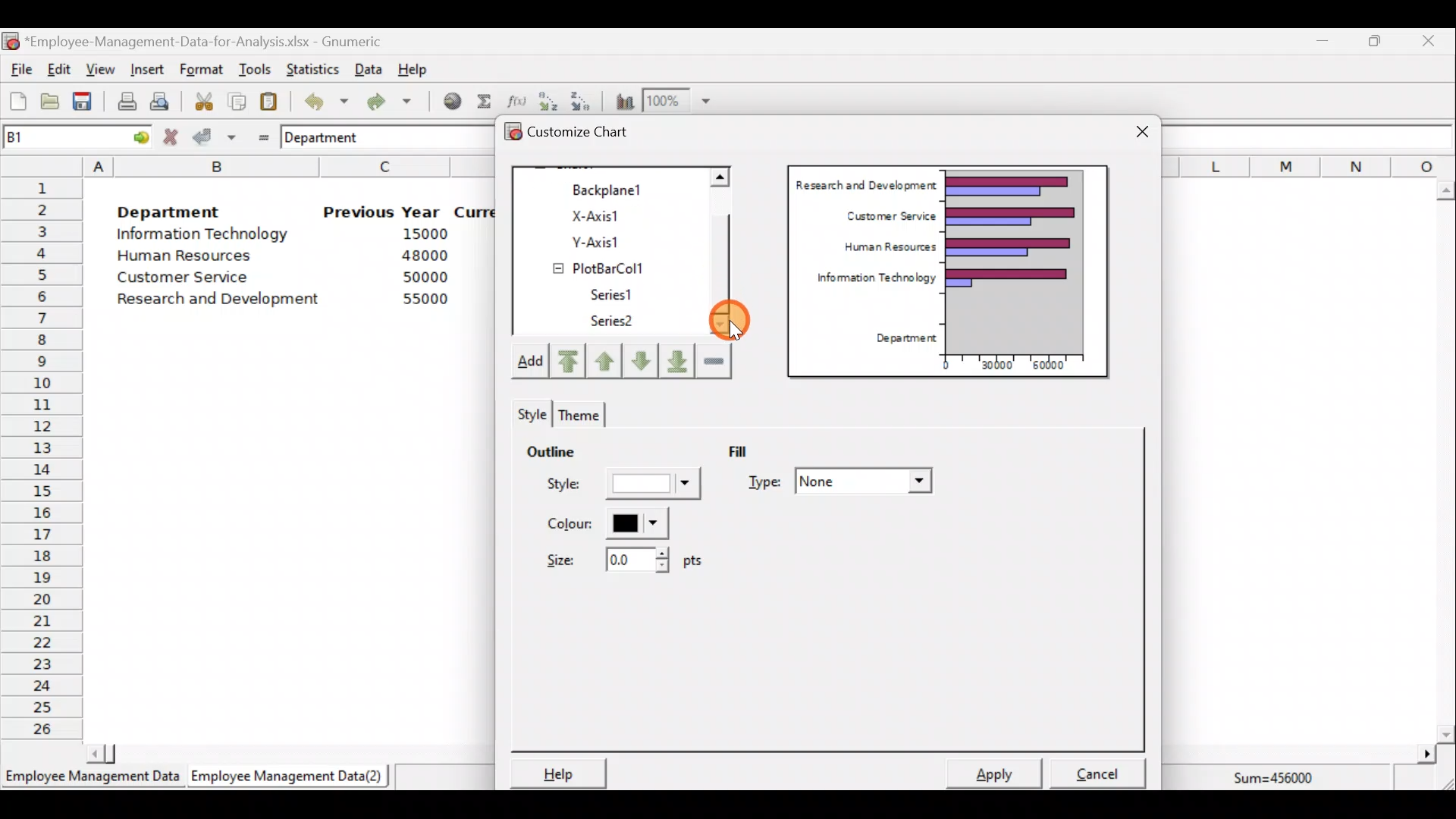 The image size is (1456, 819). What do you see at coordinates (429, 277) in the screenshot?
I see `50000` at bounding box center [429, 277].